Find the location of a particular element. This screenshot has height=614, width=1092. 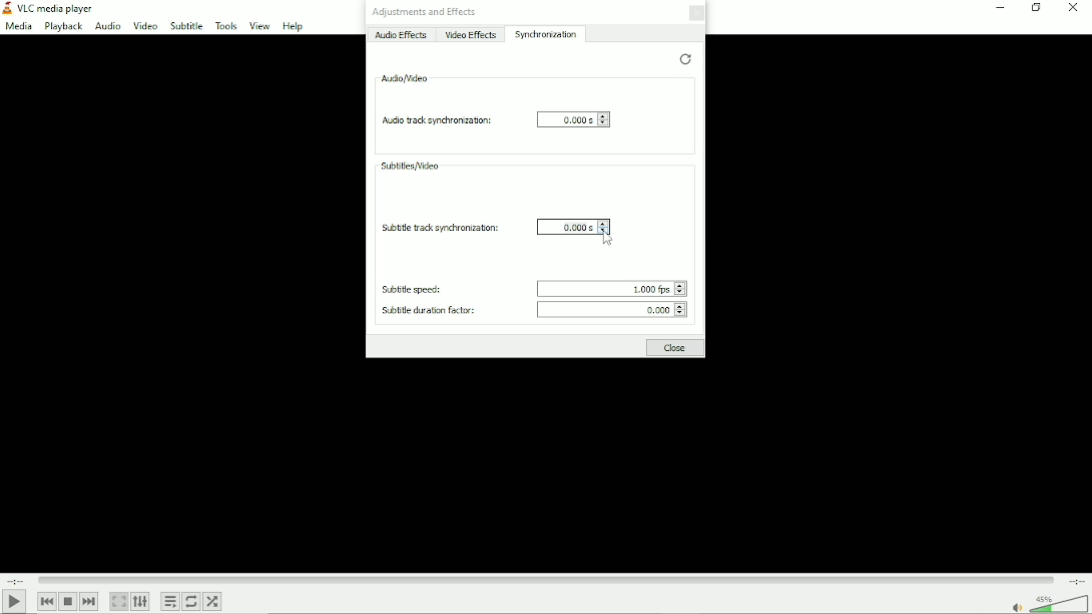

Next is located at coordinates (90, 602).